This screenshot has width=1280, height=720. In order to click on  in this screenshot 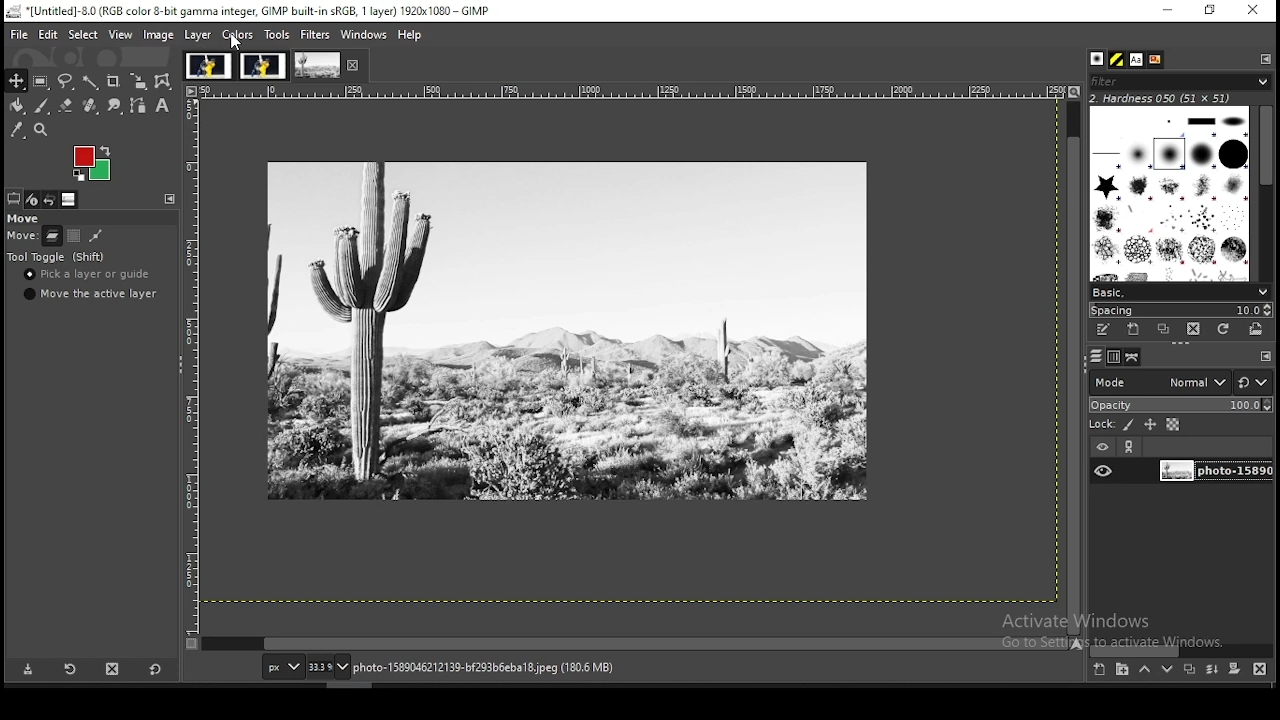, I will do `click(504, 667)`.